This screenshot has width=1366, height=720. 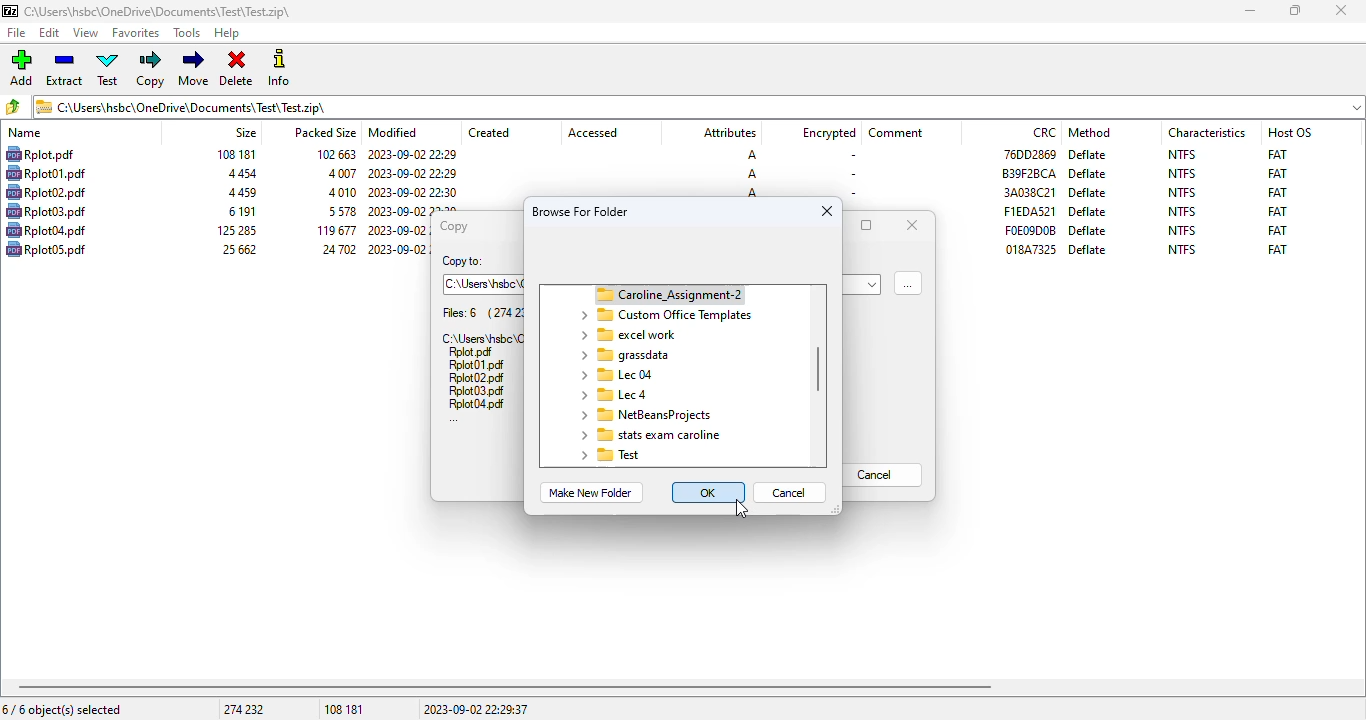 What do you see at coordinates (1249, 11) in the screenshot?
I see `minimize` at bounding box center [1249, 11].